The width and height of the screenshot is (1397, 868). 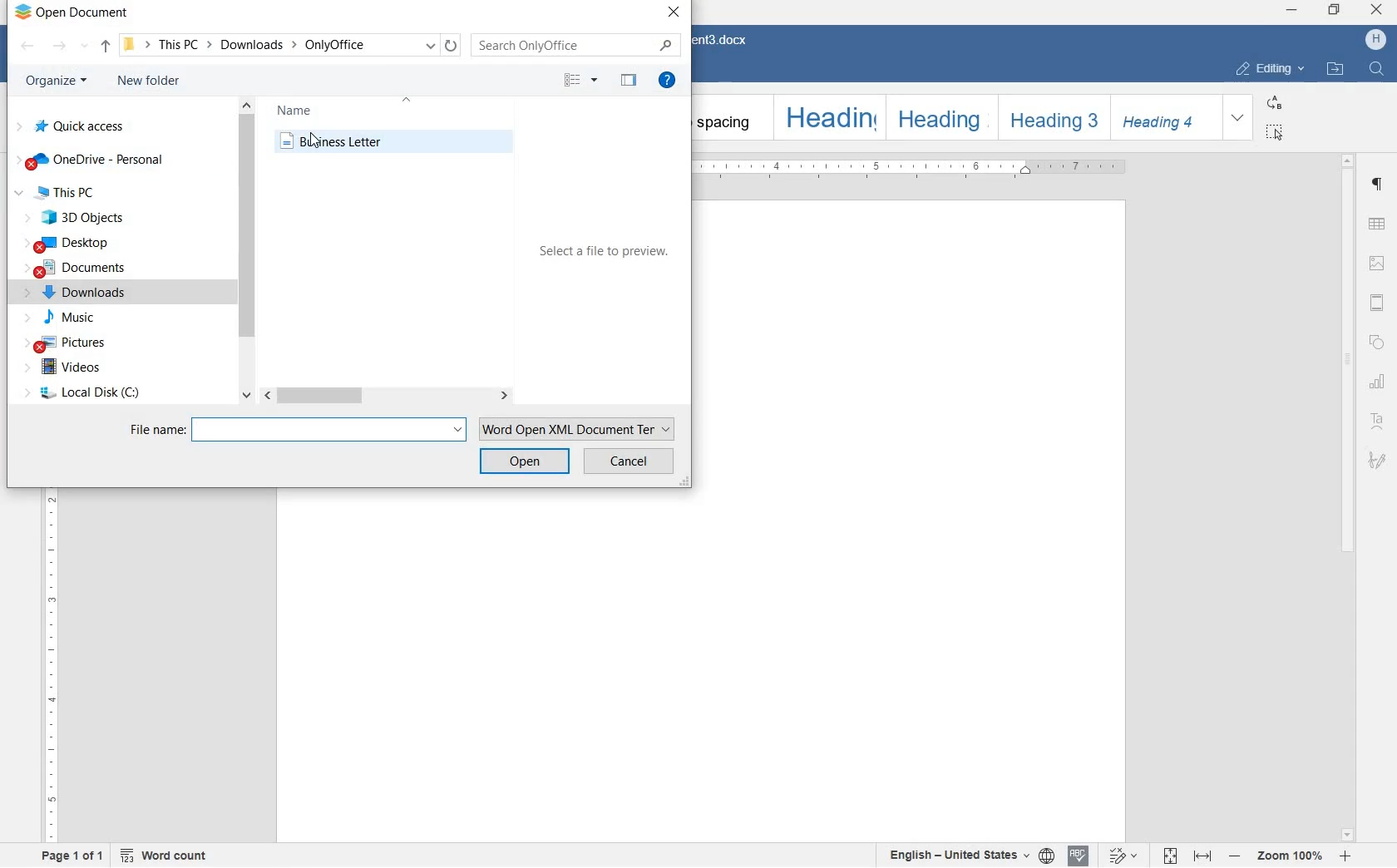 I want to click on headers & footers, so click(x=1378, y=302).